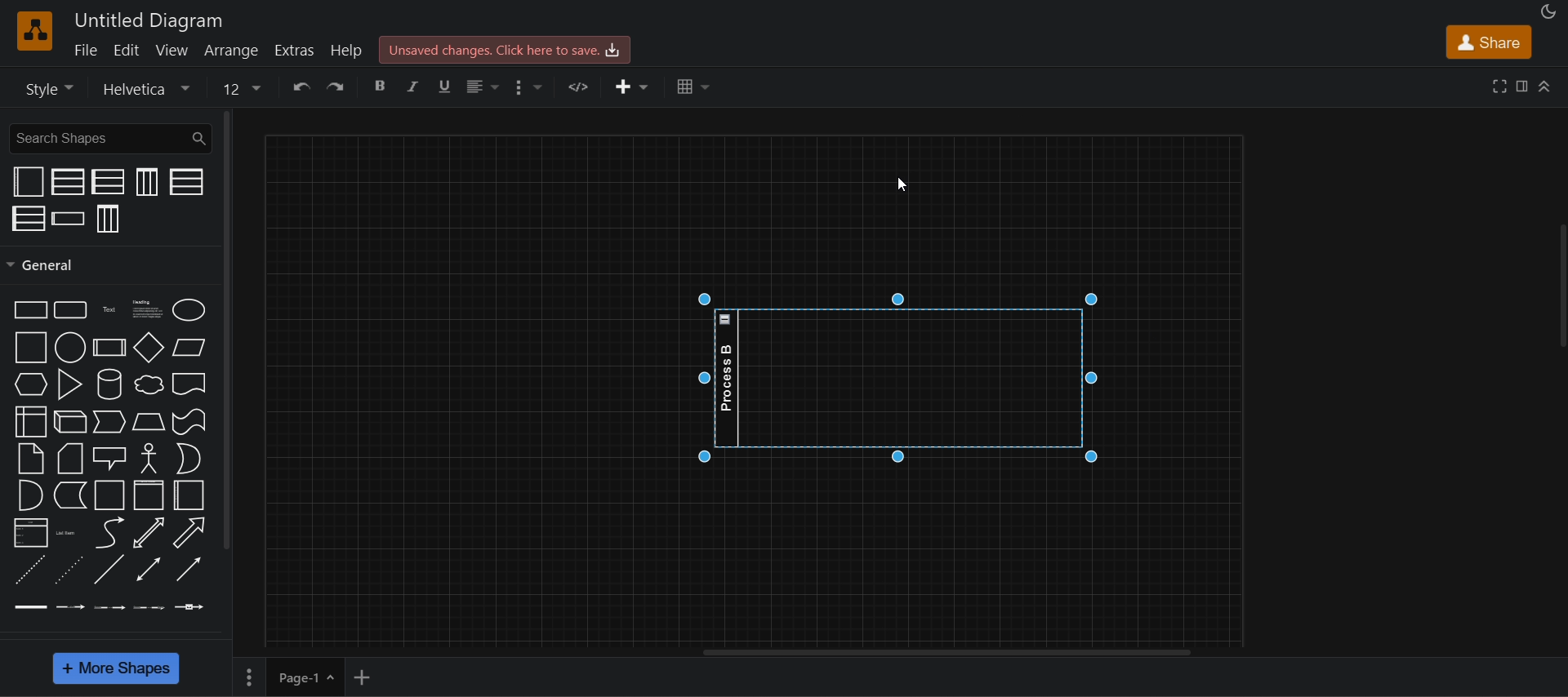 This screenshot has height=697, width=1568. Describe the element at coordinates (29, 181) in the screenshot. I see `container` at that location.